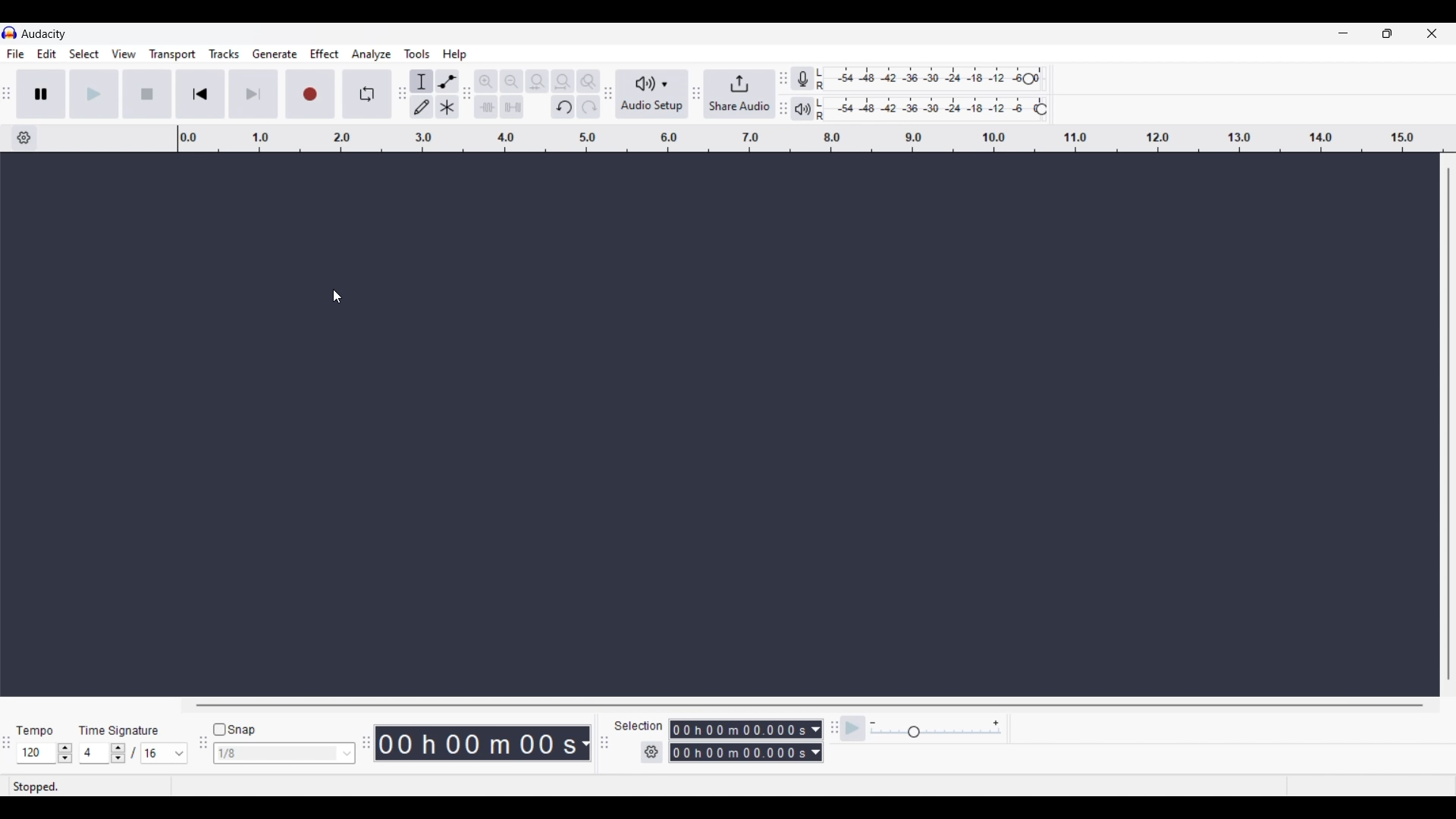  I want to click on Draw tool, so click(422, 107).